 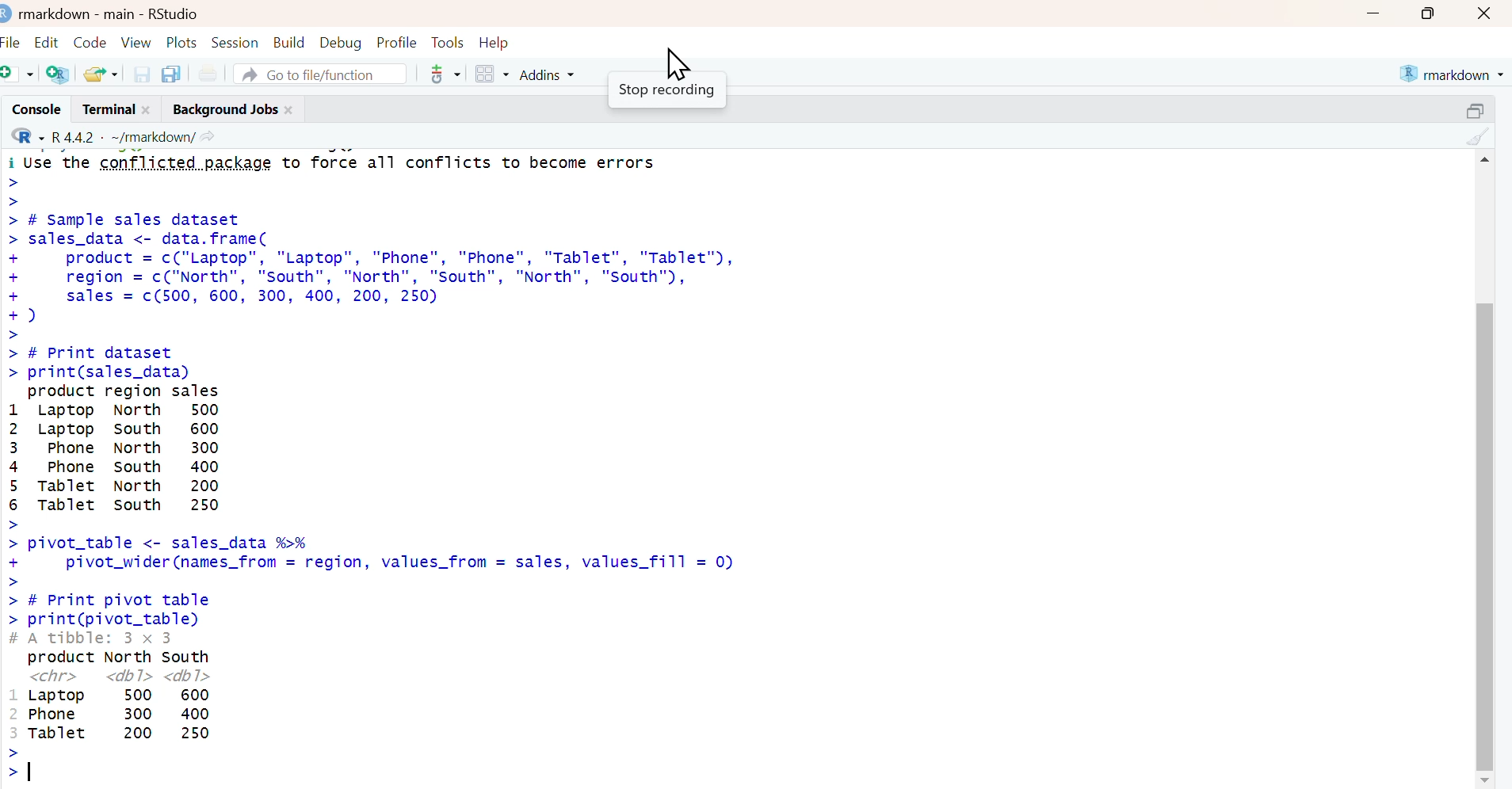 I want to click on Print current file, so click(x=208, y=73).